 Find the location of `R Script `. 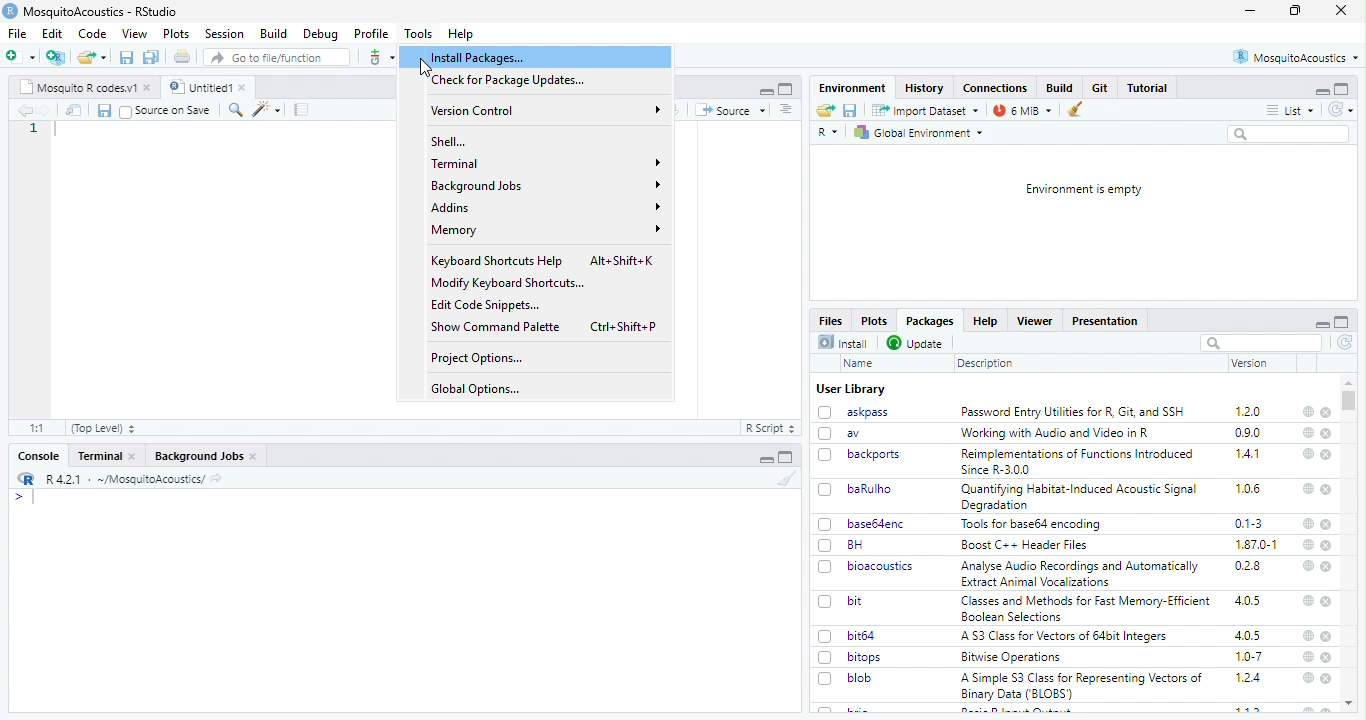

R Script  is located at coordinates (771, 428).